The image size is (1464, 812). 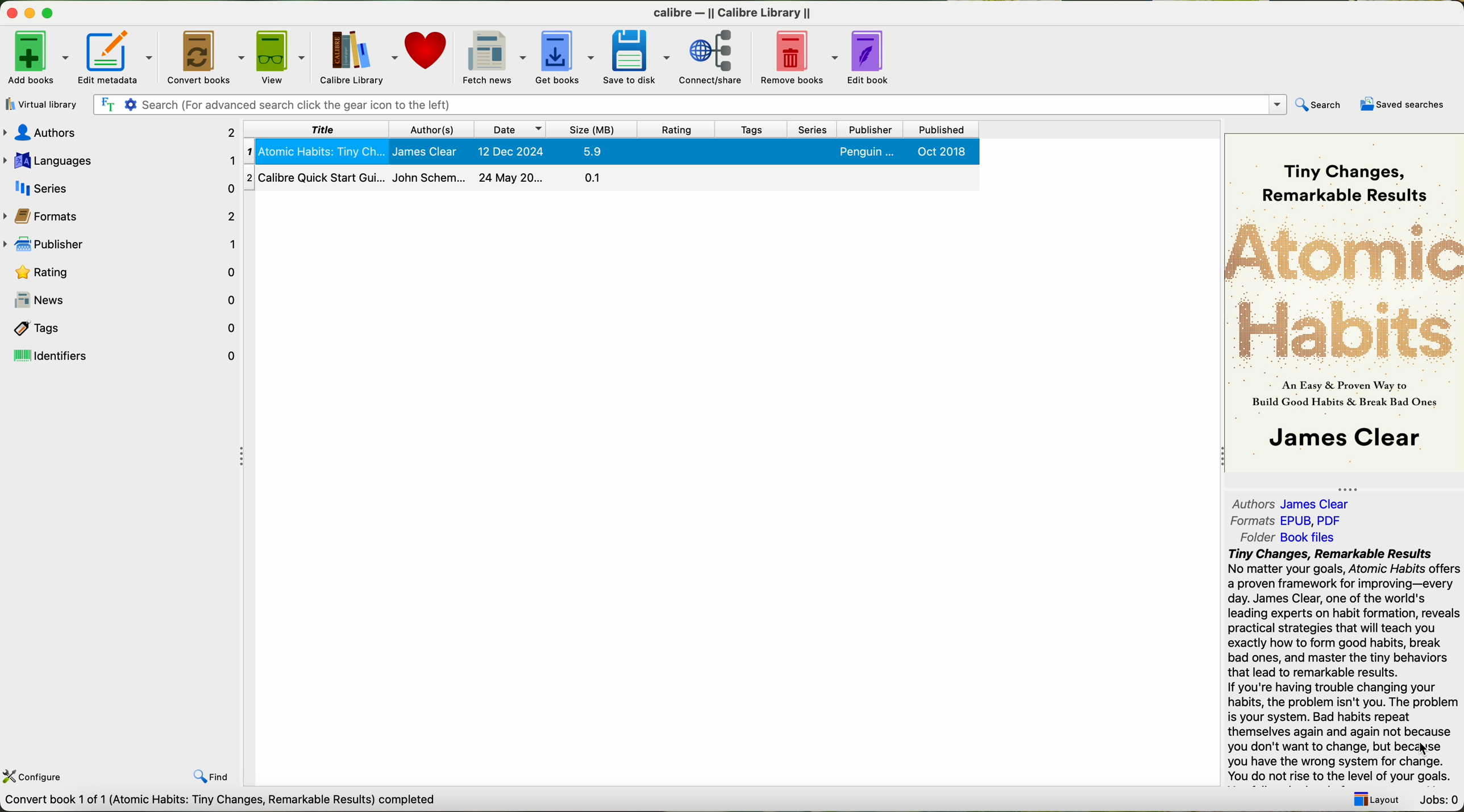 I want to click on second book, so click(x=610, y=180).